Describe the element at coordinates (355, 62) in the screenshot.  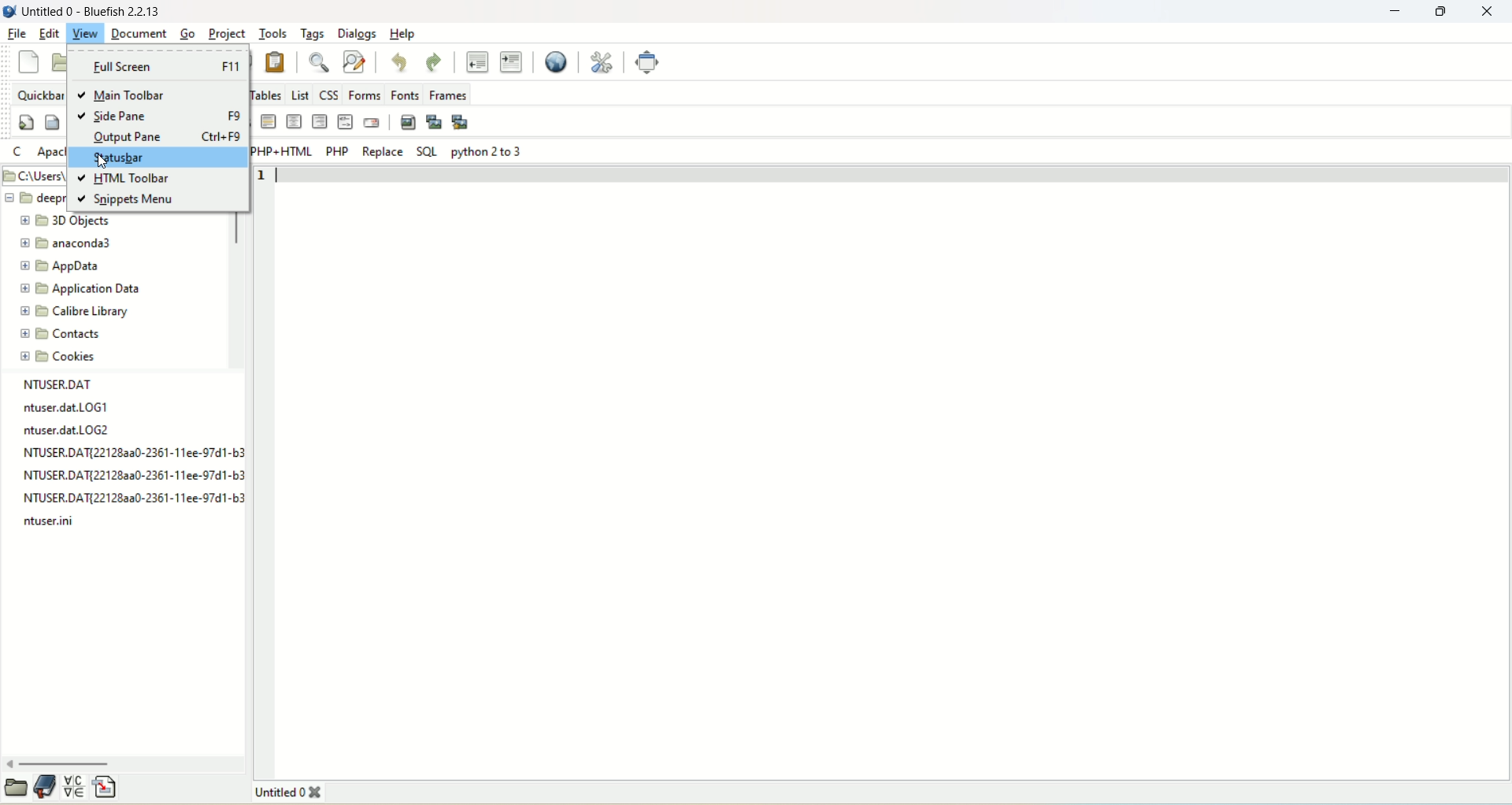
I see `advanced find and replace` at that location.